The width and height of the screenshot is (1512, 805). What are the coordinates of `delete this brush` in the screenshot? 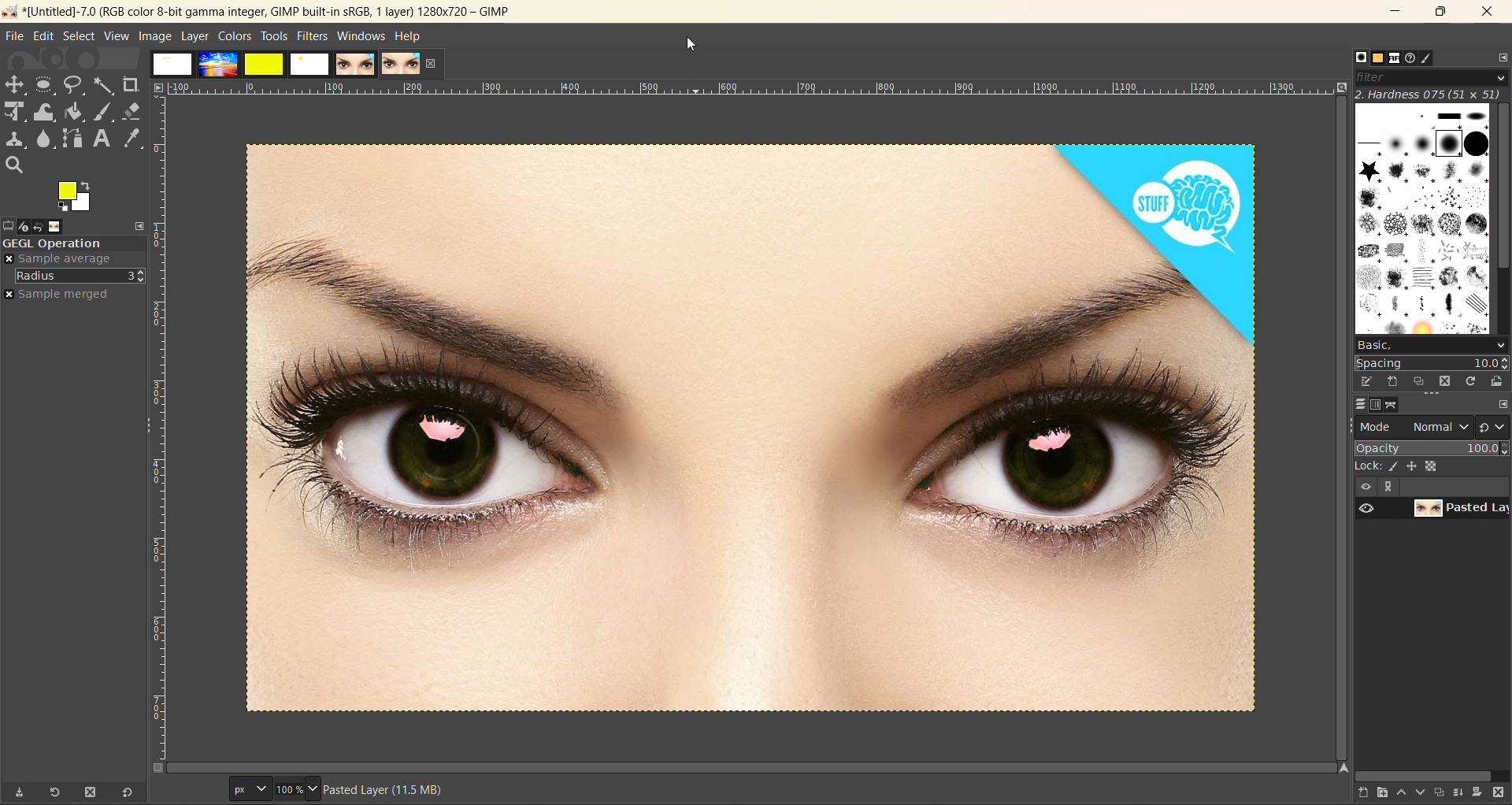 It's located at (1442, 382).